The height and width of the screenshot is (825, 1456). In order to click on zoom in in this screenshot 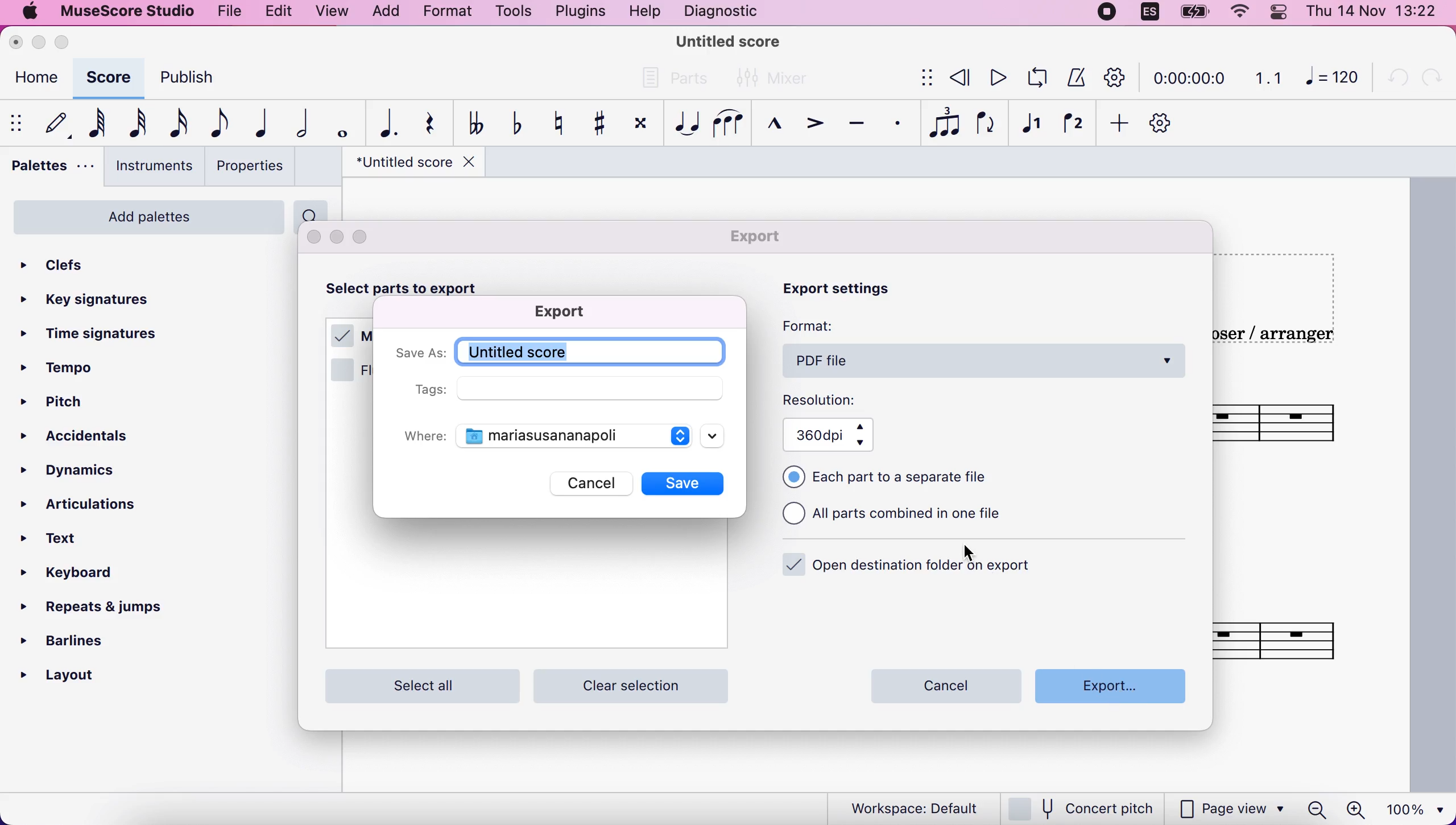, I will do `click(1359, 808)`.